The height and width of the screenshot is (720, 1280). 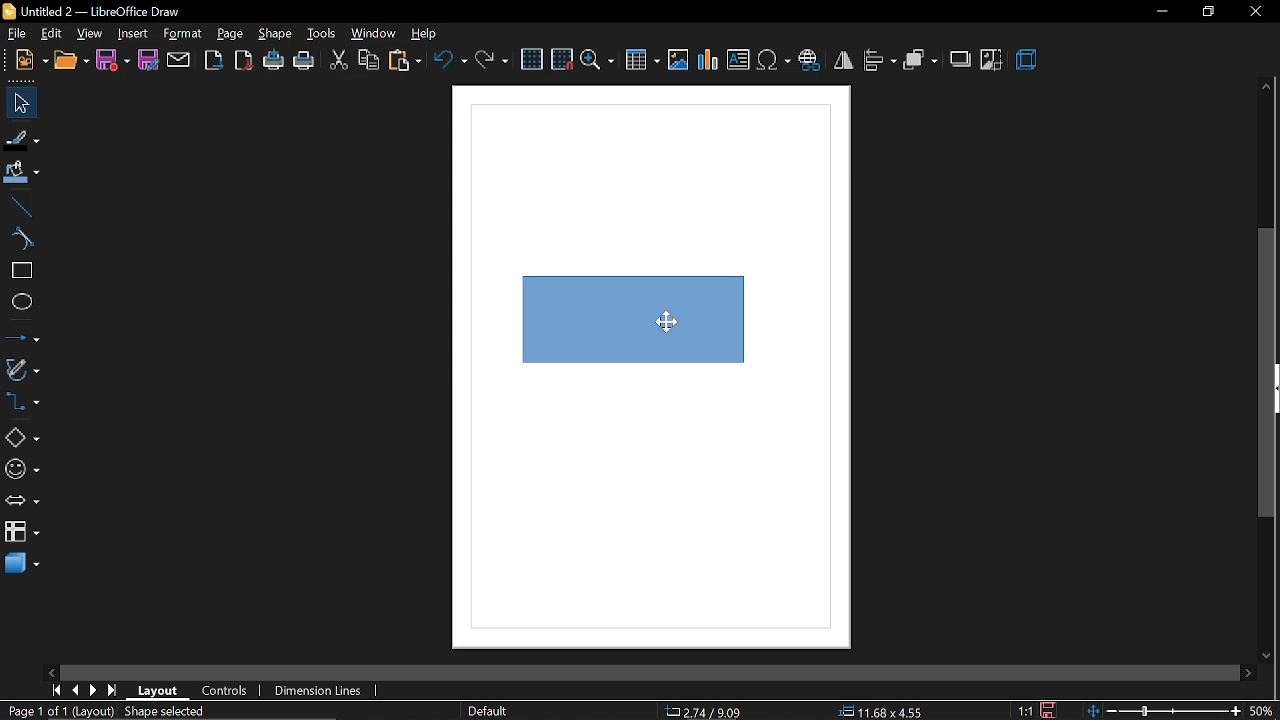 What do you see at coordinates (989, 61) in the screenshot?
I see `crop` at bounding box center [989, 61].